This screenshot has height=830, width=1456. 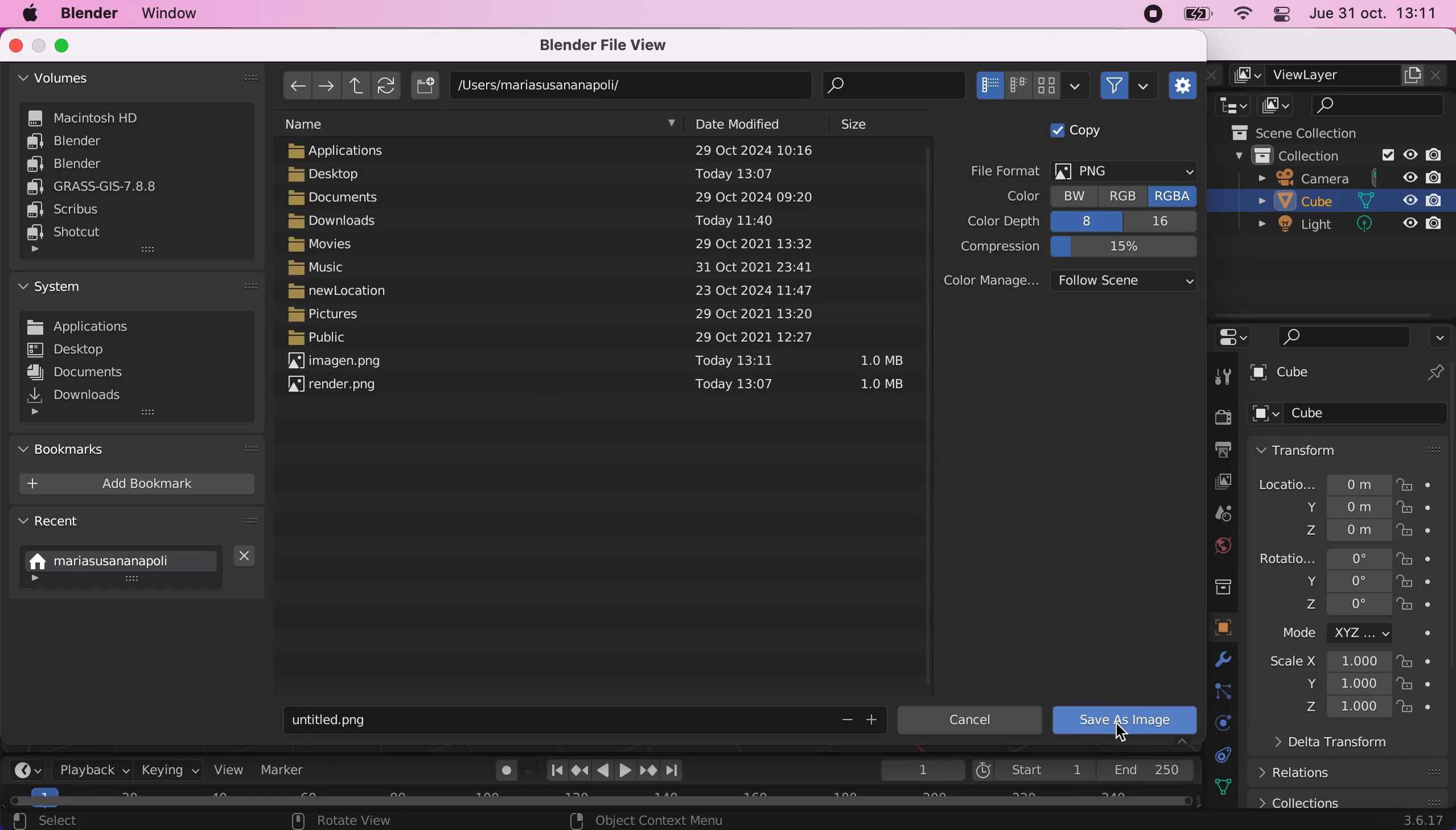 What do you see at coordinates (1348, 798) in the screenshot?
I see `collections` at bounding box center [1348, 798].